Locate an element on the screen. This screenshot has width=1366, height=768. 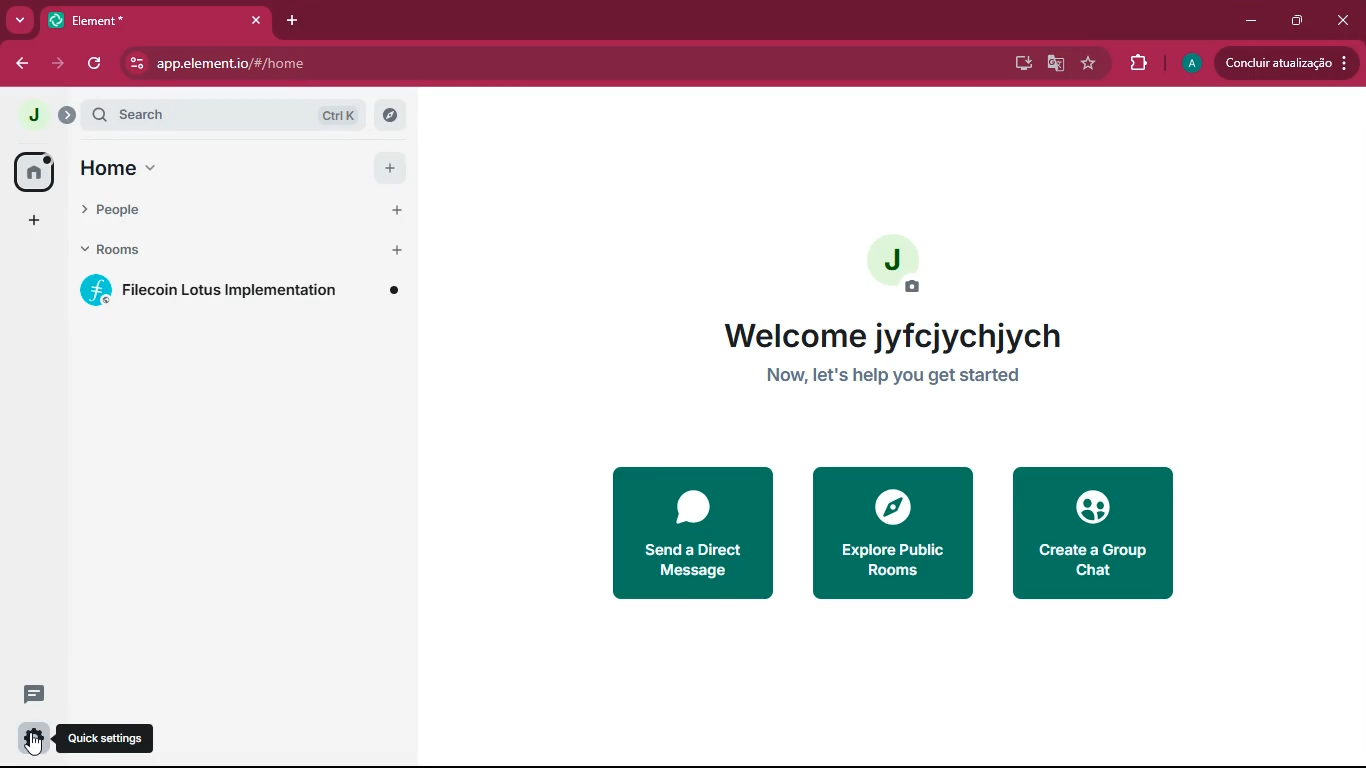
rooms is located at coordinates (239, 251).